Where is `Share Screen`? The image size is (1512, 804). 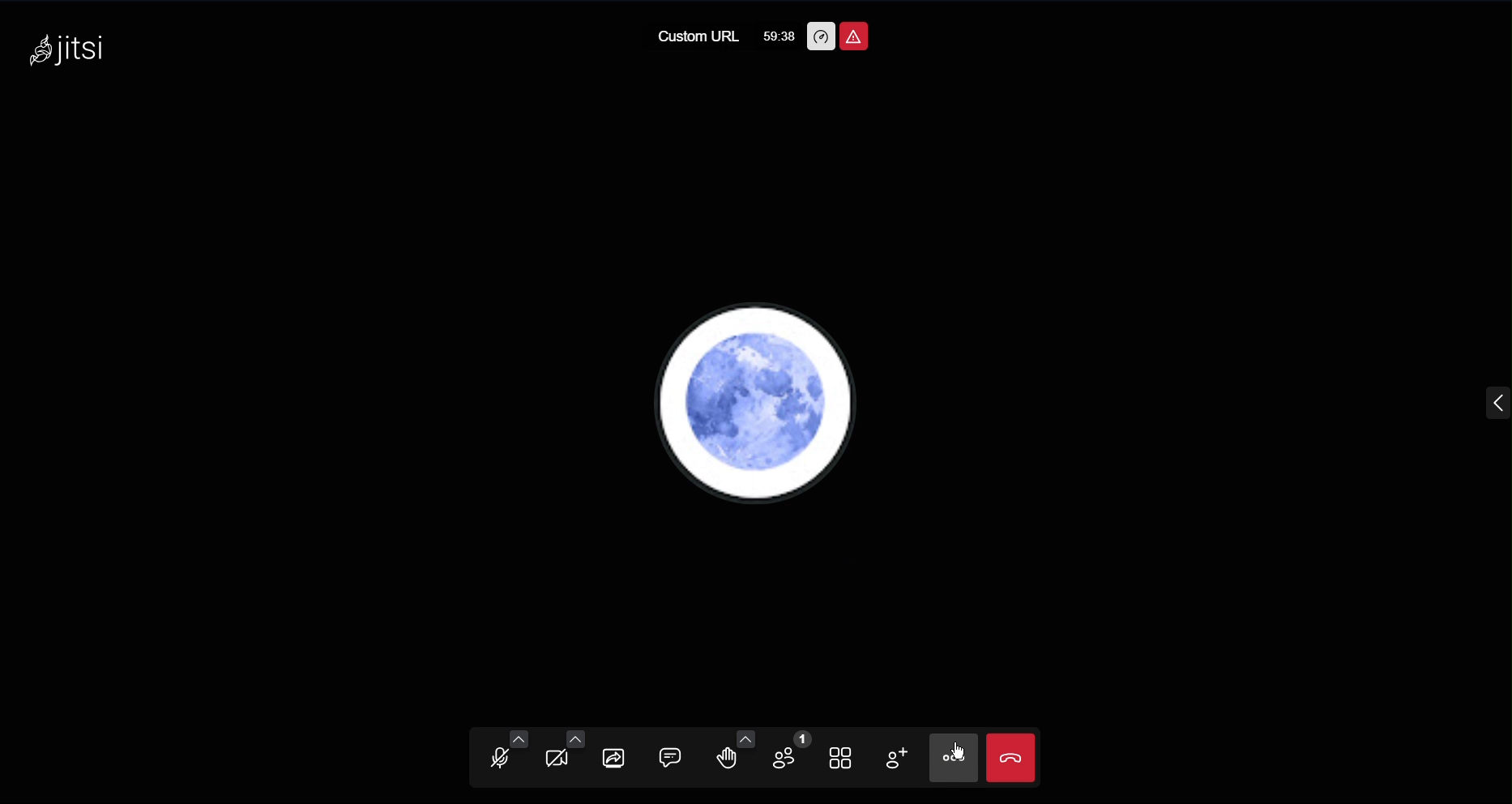
Share Screen is located at coordinates (617, 758).